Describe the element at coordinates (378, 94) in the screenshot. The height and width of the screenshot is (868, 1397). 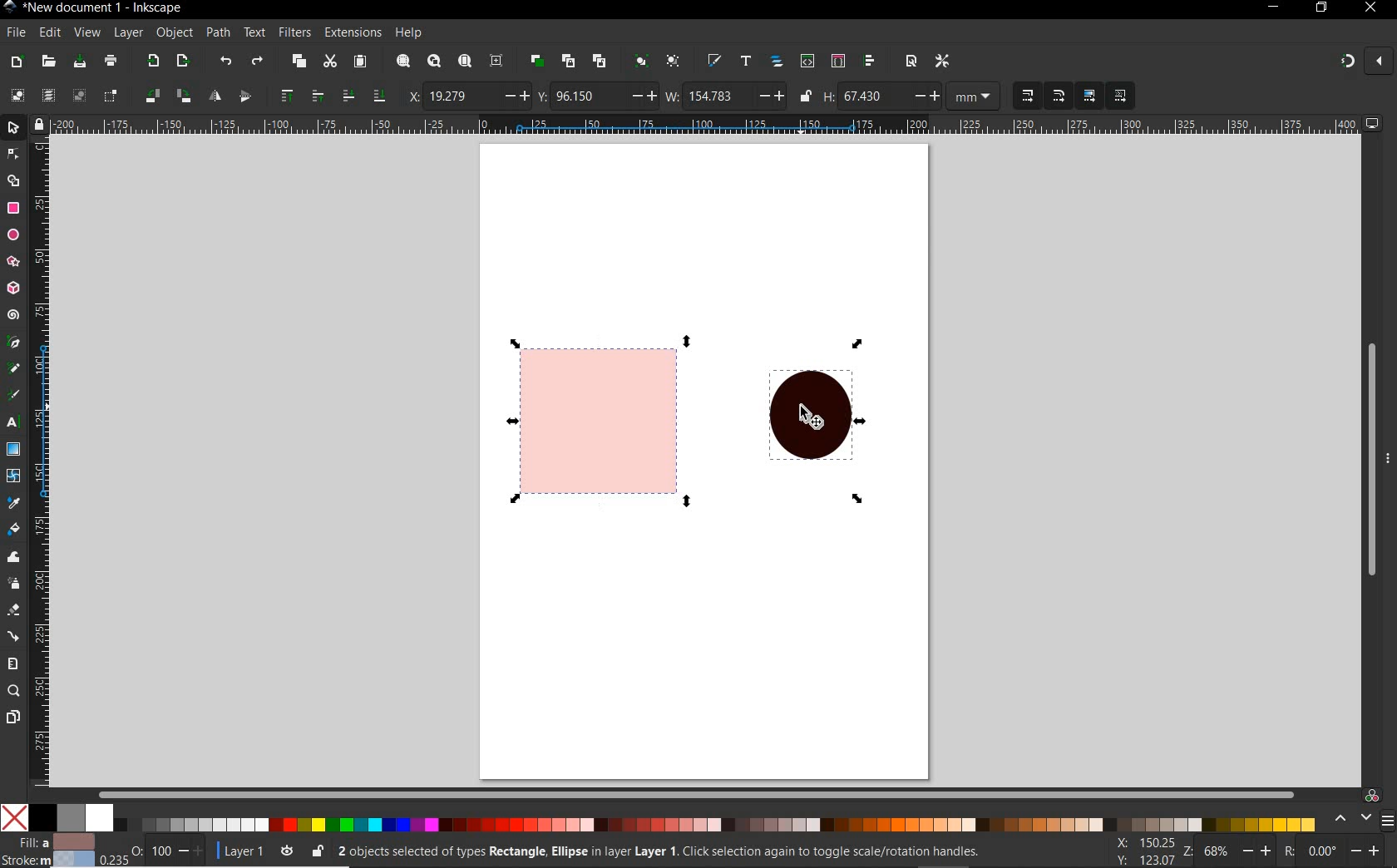
I see `lower to bottom` at that location.